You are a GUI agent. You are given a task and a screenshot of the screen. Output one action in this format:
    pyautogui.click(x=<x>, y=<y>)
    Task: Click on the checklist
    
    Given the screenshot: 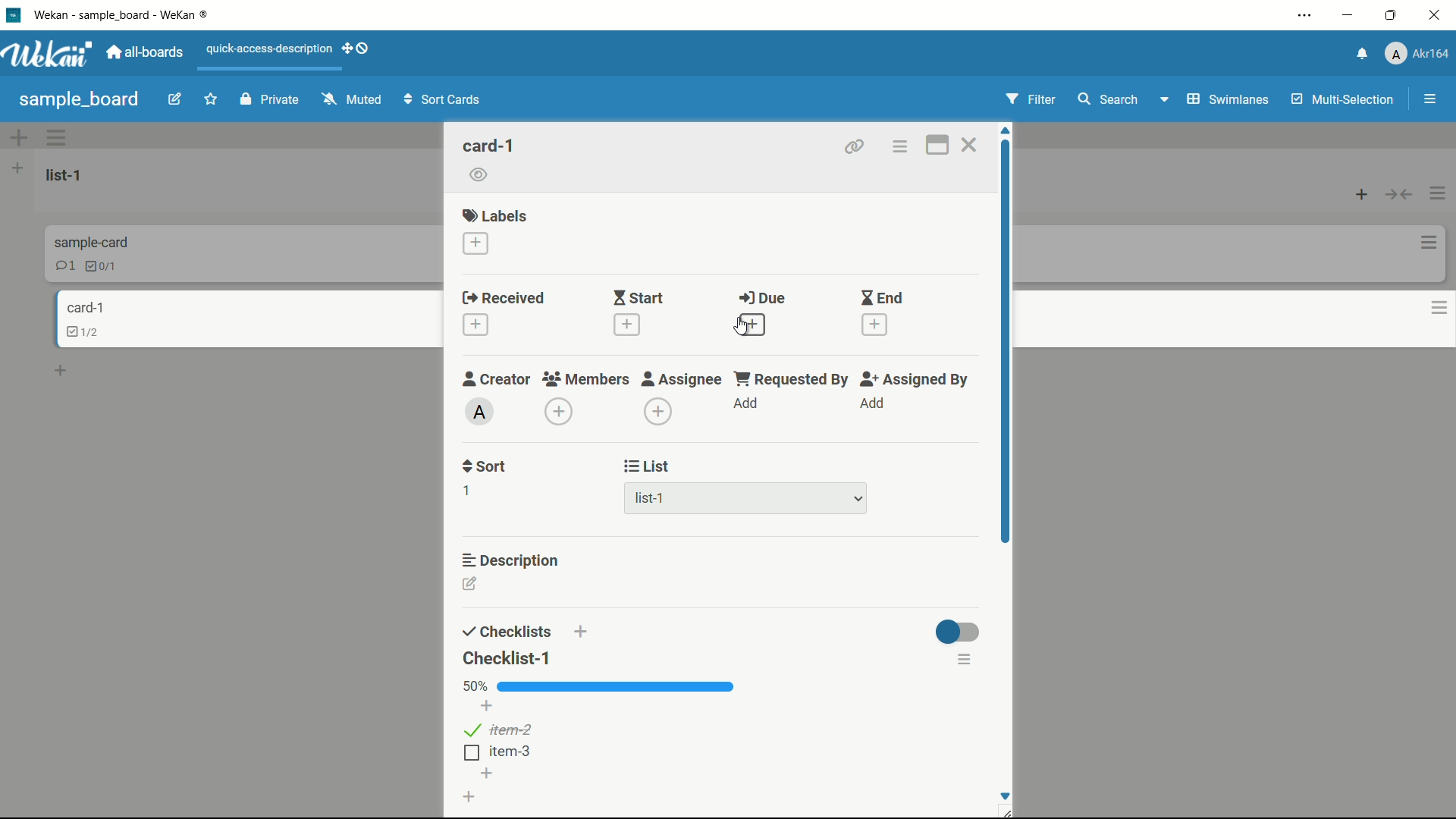 What is the action you would take?
    pyautogui.click(x=79, y=334)
    